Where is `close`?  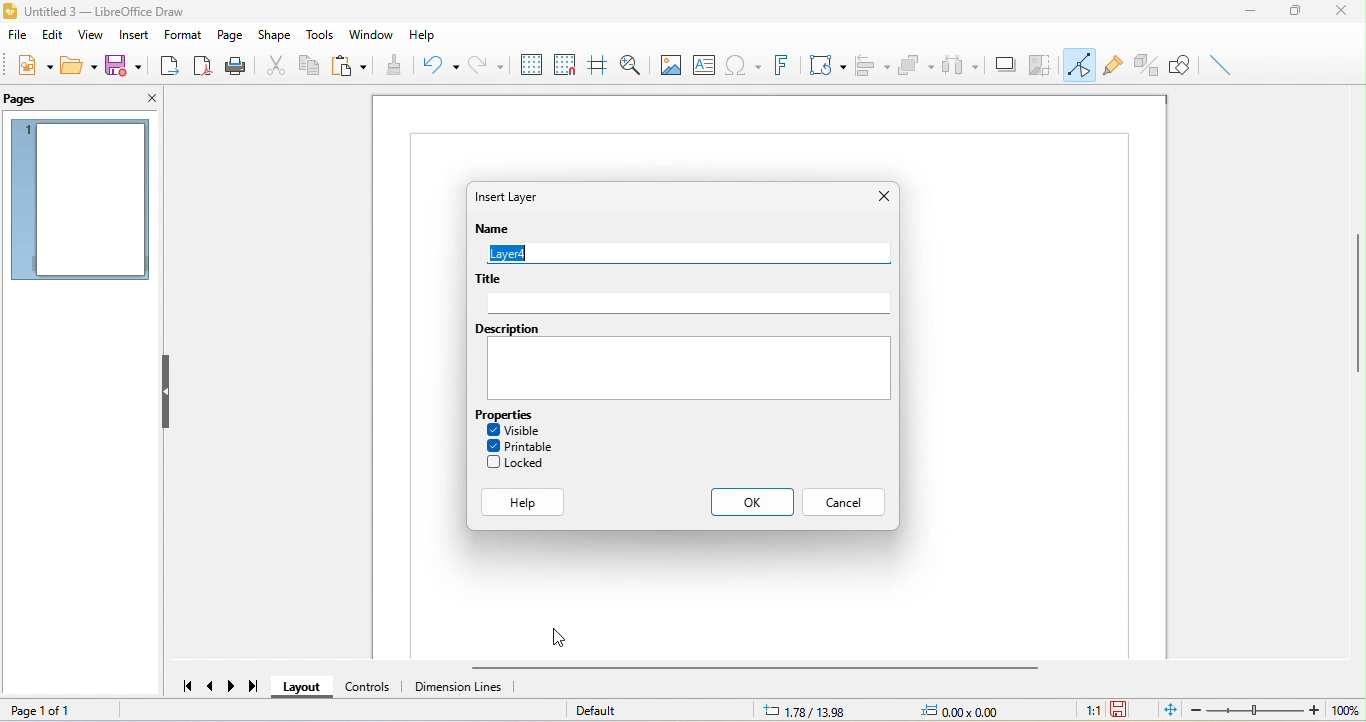 close is located at coordinates (1340, 12).